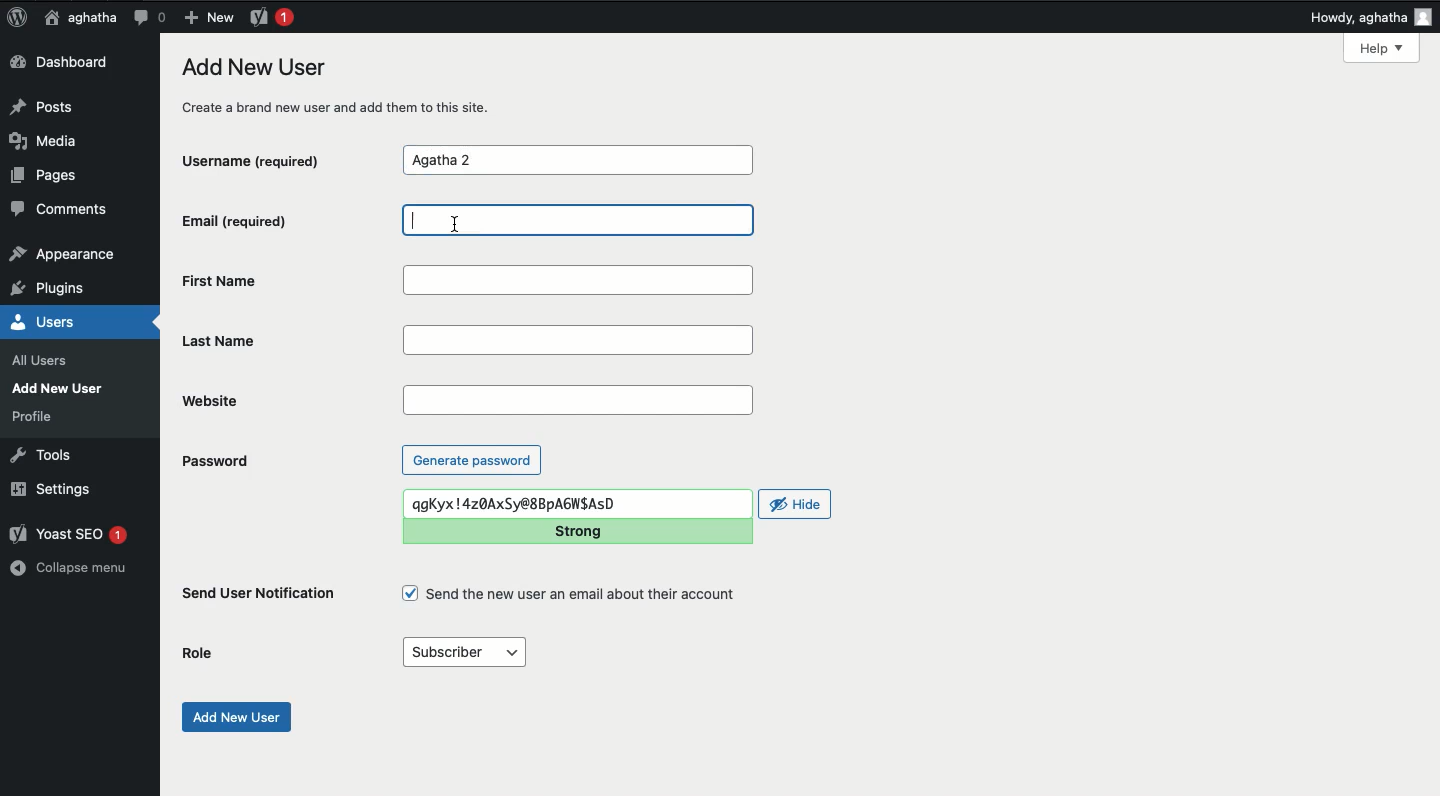  Describe the element at coordinates (50, 141) in the screenshot. I see `Media` at that location.